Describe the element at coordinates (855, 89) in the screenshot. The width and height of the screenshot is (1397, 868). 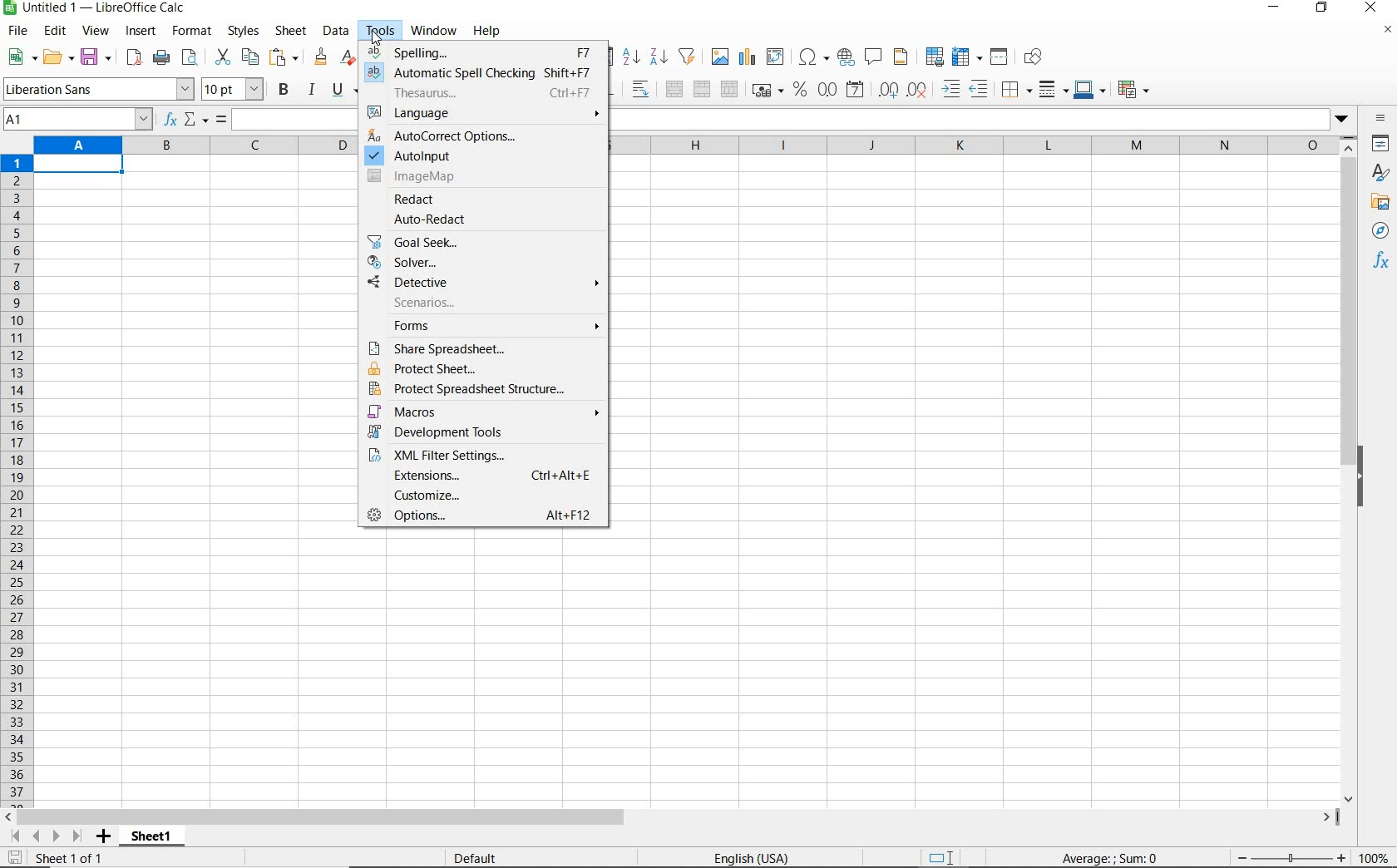
I see `format as date` at that location.